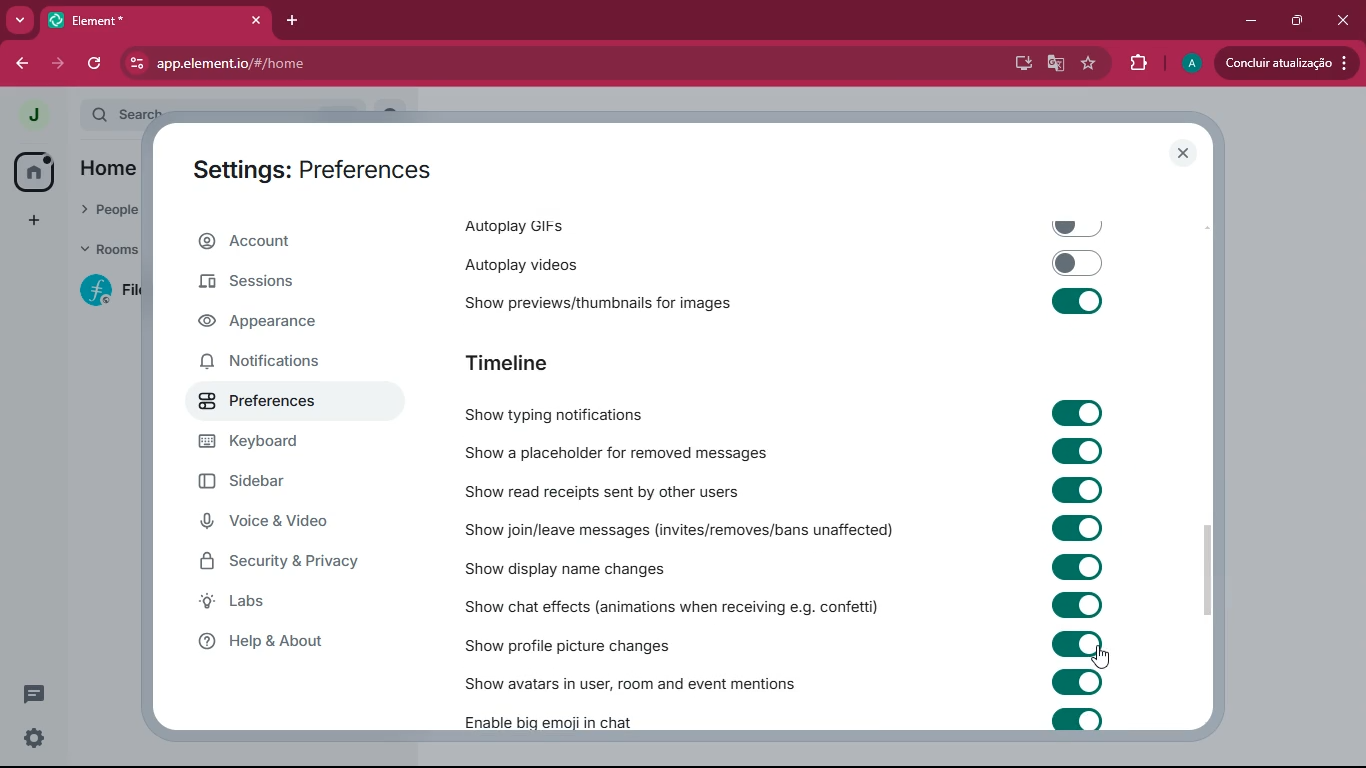  Describe the element at coordinates (1208, 570) in the screenshot. I see `scrollbar` at that location.